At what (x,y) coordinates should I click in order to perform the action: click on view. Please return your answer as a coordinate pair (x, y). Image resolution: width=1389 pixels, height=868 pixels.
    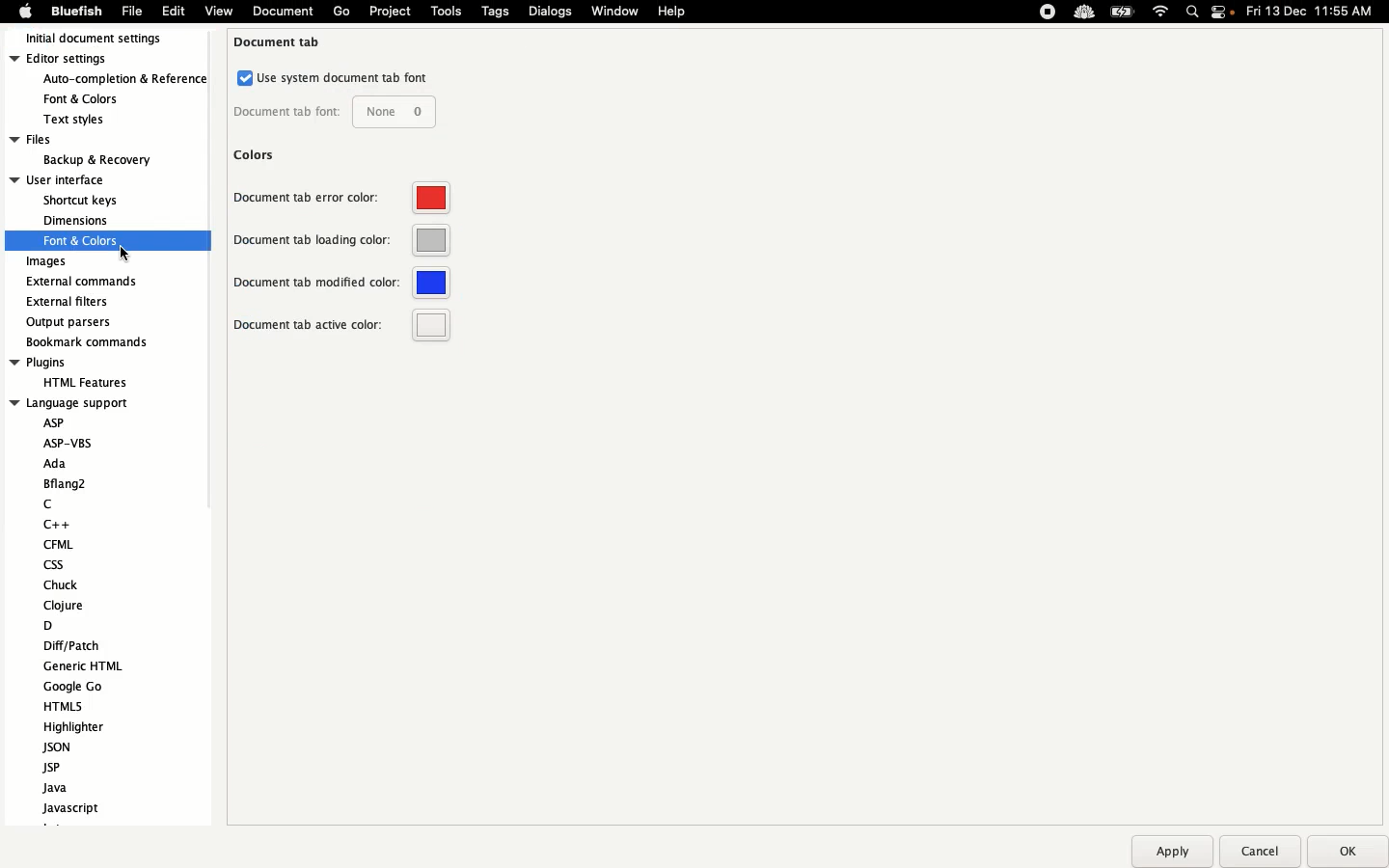
    Looking at the image, I should click on (218, 14).